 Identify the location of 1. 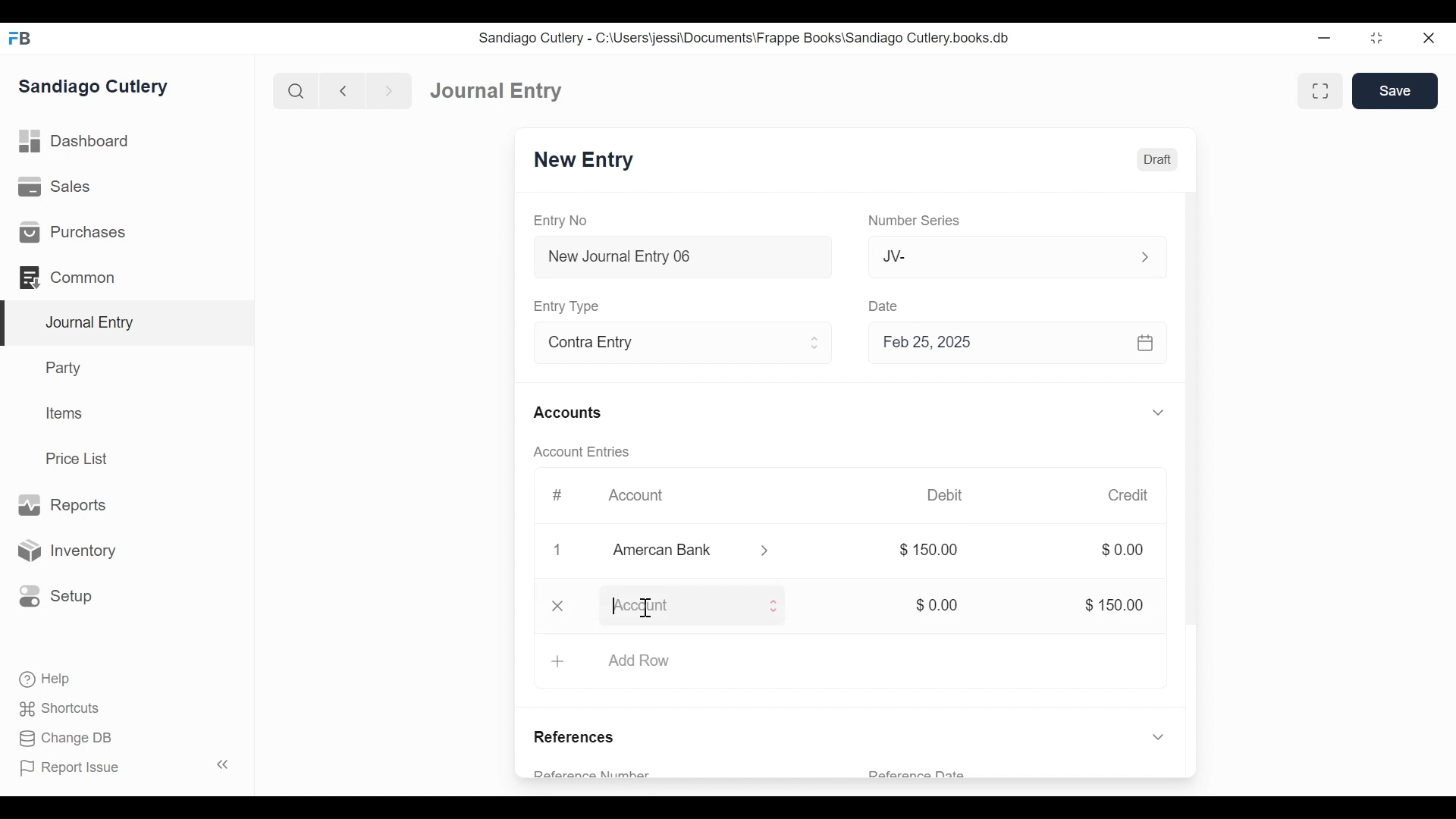
(555, 550).